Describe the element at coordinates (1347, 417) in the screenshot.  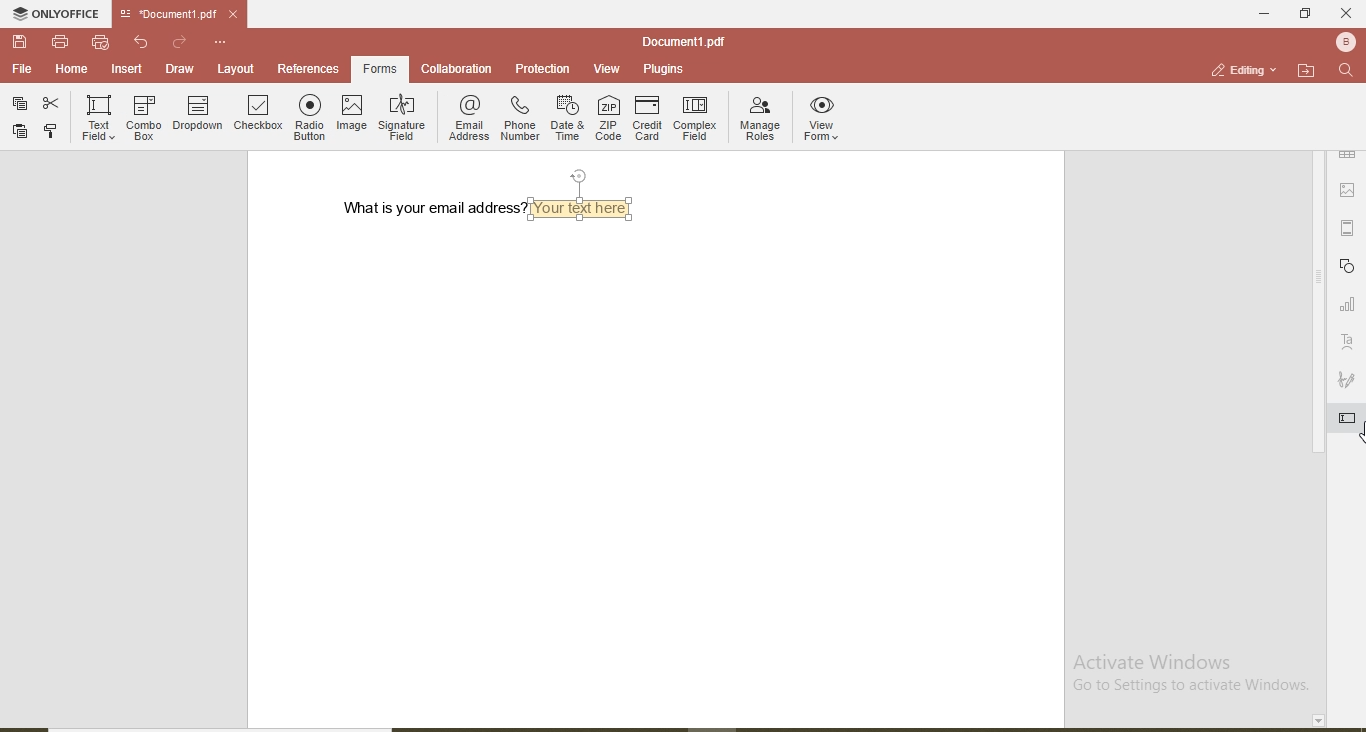
I see `highlighted` at that location.